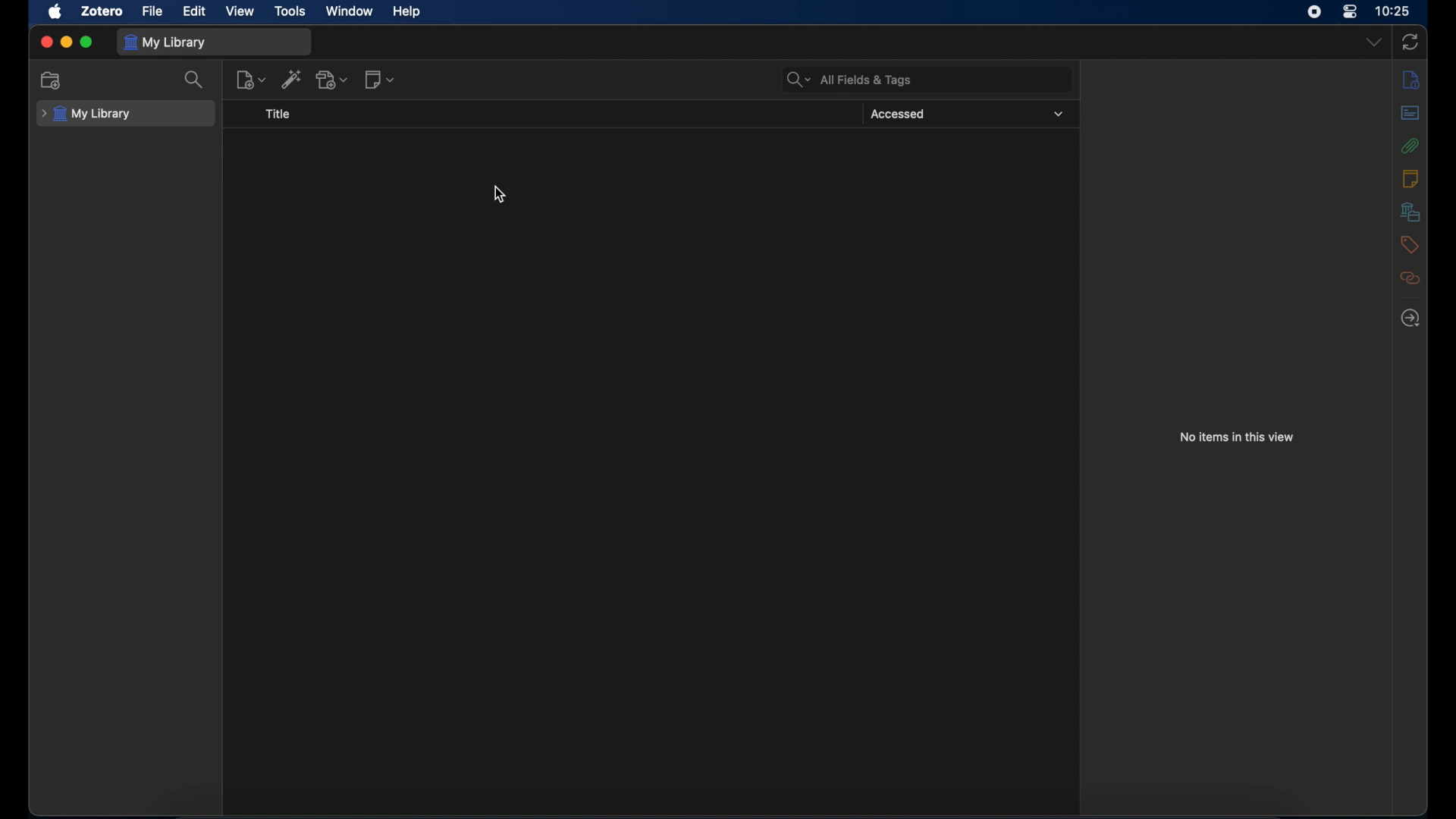  I want to click on tools, so click(290, 11).